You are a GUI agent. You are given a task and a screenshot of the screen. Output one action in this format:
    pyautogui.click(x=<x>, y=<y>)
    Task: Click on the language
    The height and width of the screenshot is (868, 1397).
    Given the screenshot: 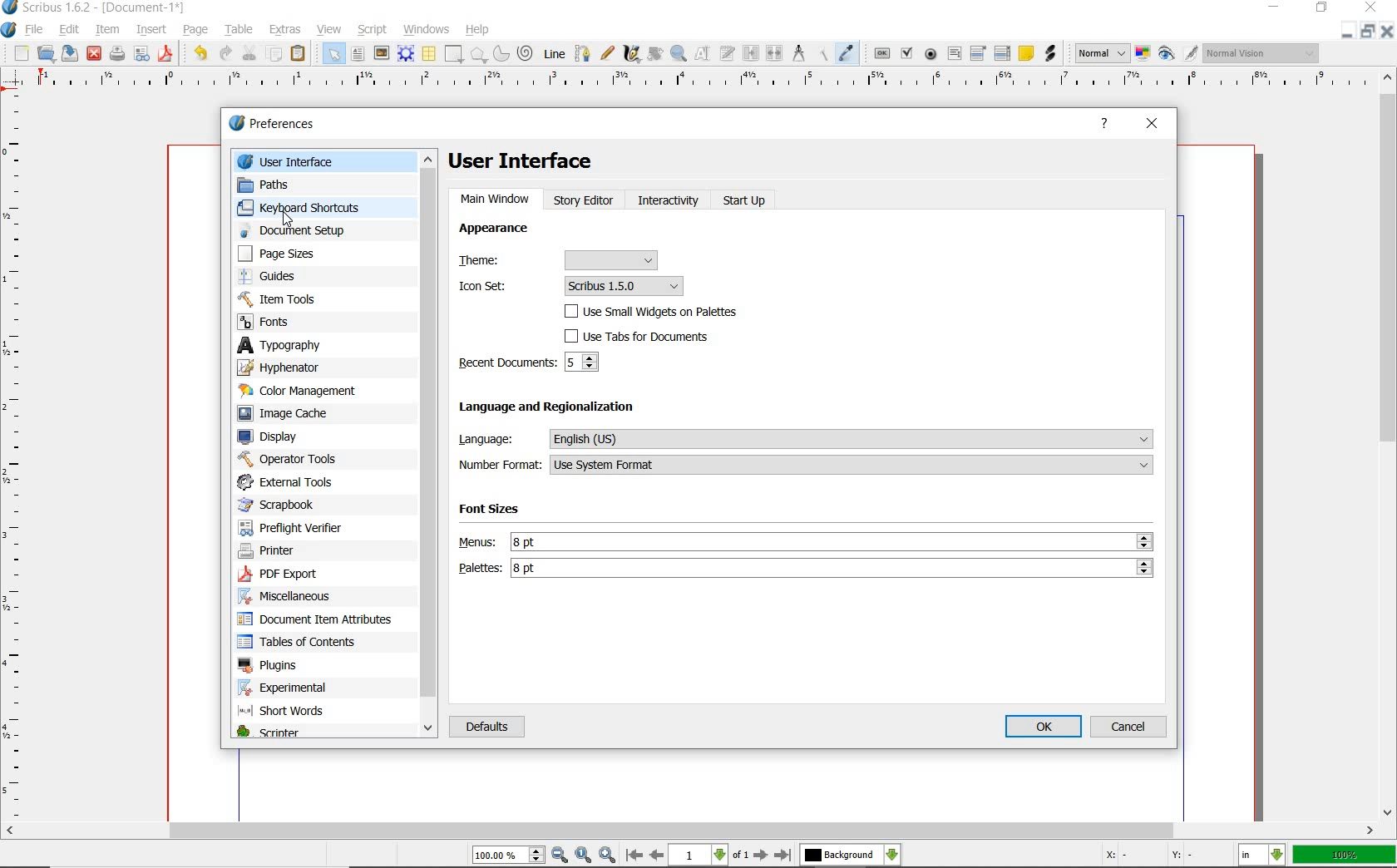 What is the action you would take?
    pyautogui.click(x=805, y=439)
    